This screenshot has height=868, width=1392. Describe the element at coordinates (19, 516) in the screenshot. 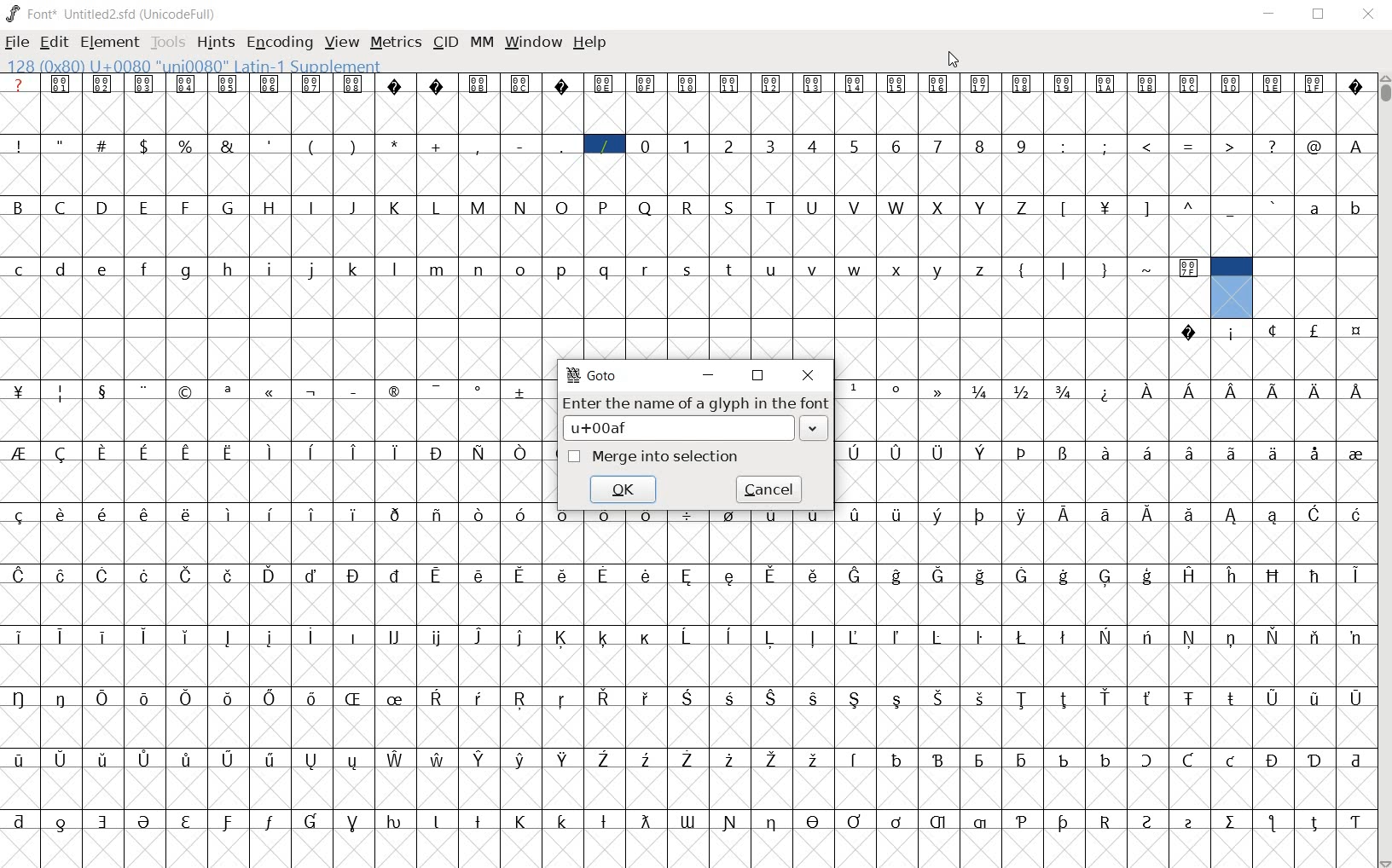

I see `Symbol` at that location.